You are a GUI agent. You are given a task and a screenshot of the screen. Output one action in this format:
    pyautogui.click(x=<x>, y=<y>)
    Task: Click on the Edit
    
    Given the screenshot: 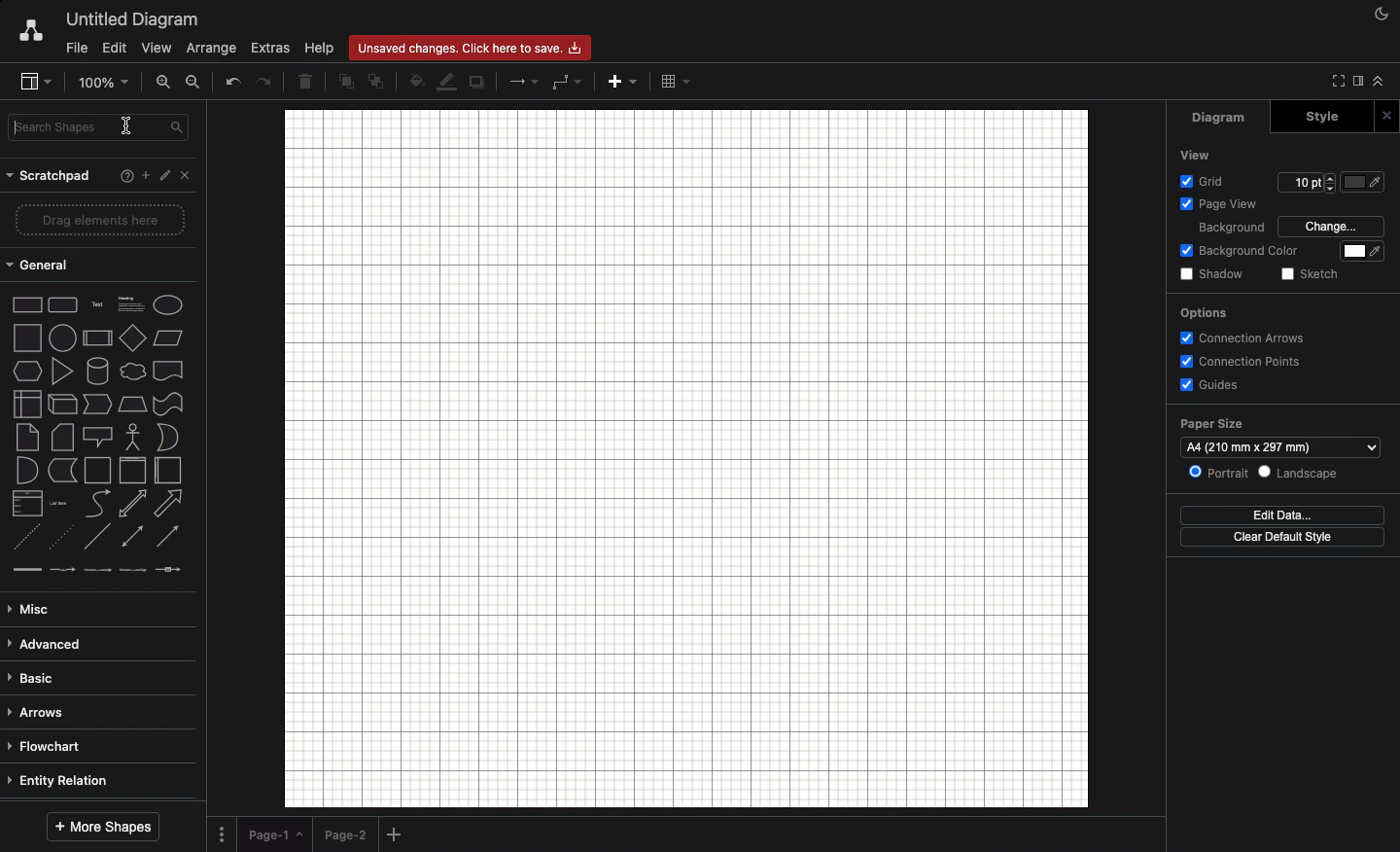 What is the action you would take?
    pyautogui.click(x=162, y=173)
    